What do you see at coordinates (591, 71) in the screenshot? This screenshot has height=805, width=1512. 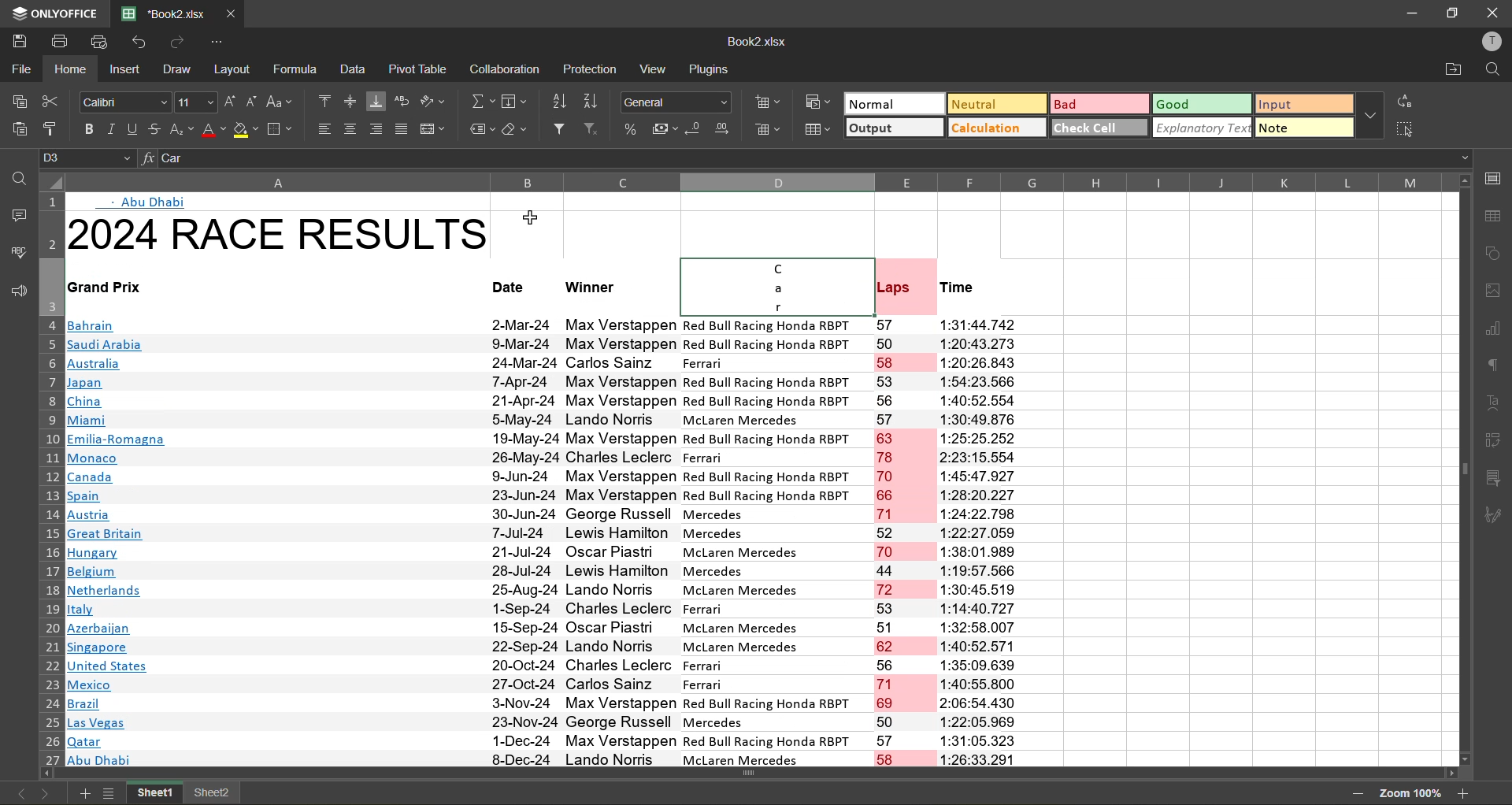 I see `protection` at bounding box center [591, 71].